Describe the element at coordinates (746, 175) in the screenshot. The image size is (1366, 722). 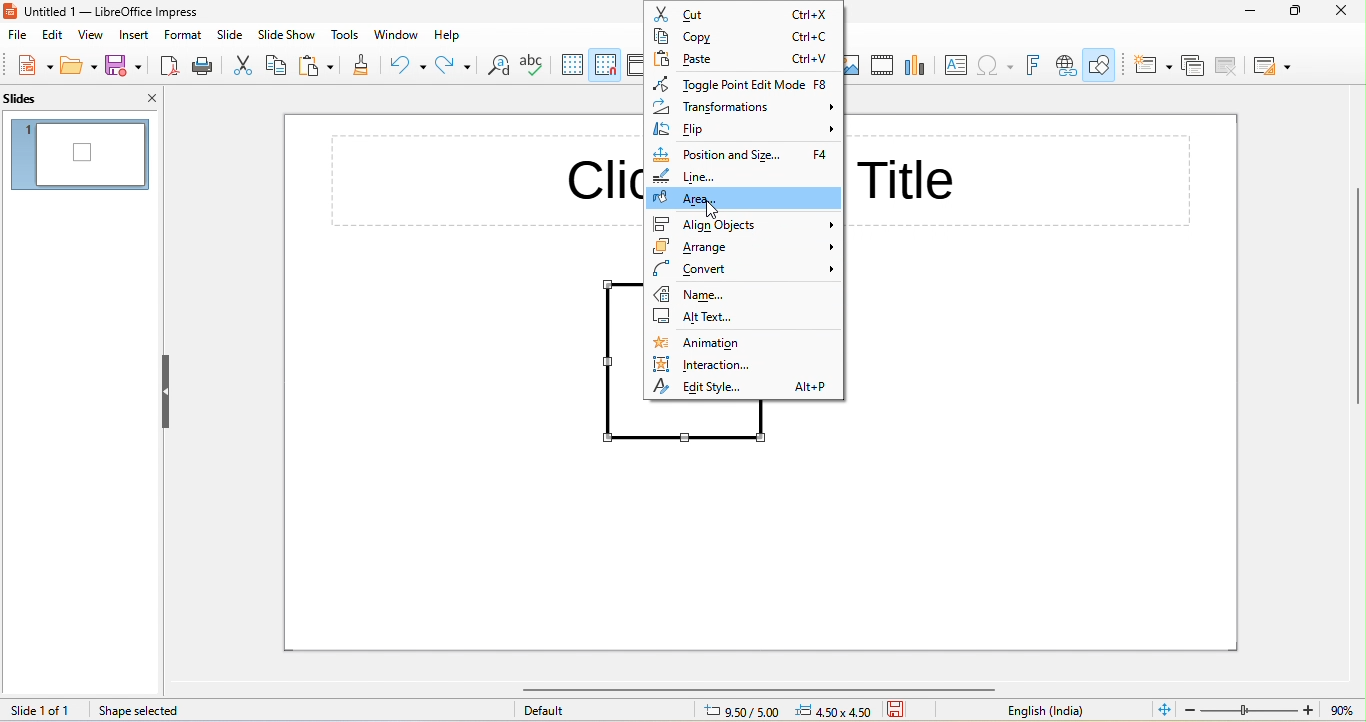
I see `line` at that location.